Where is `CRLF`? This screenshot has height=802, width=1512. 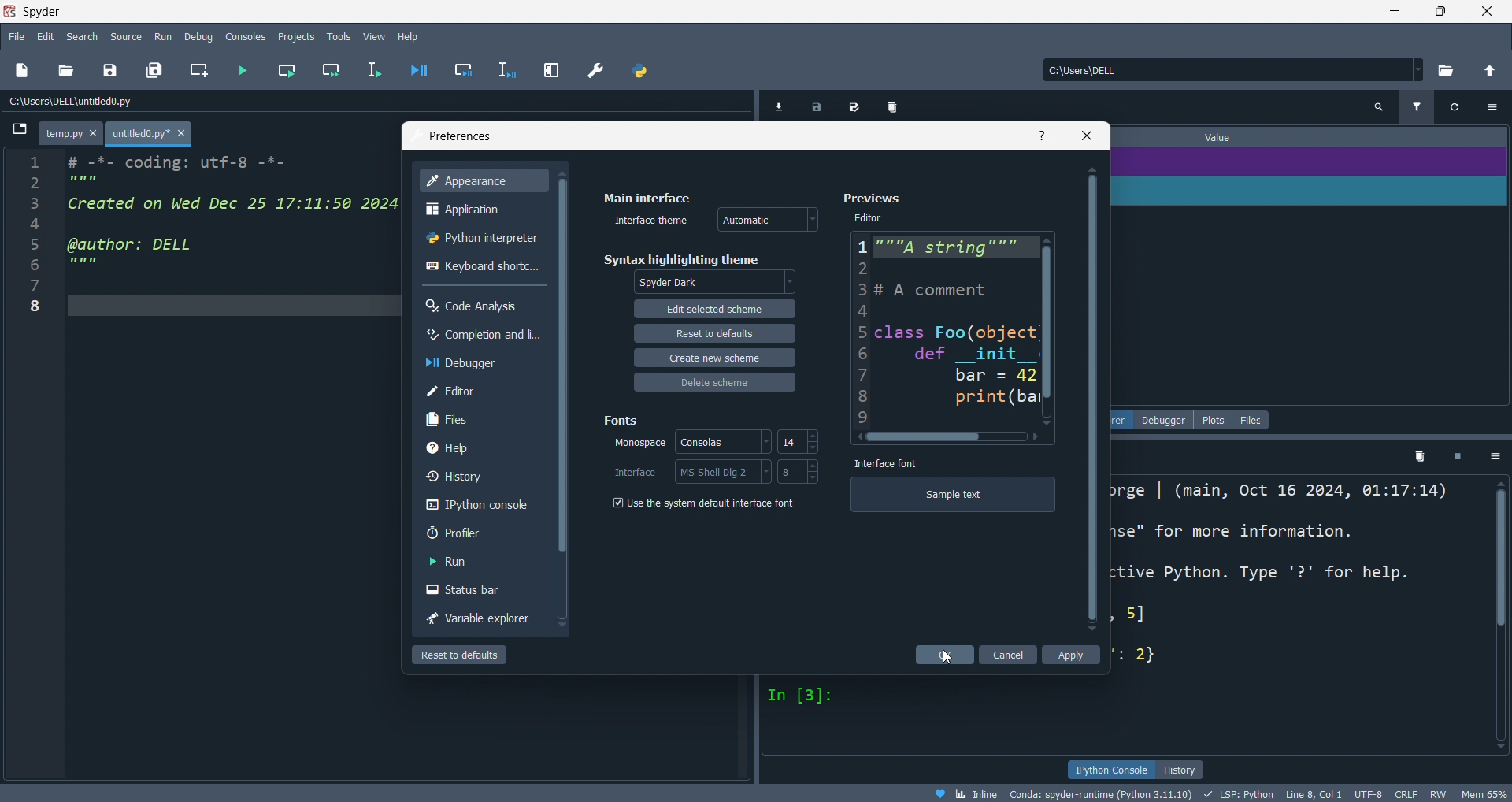 CRLF is located at coordinates (1408, 794).